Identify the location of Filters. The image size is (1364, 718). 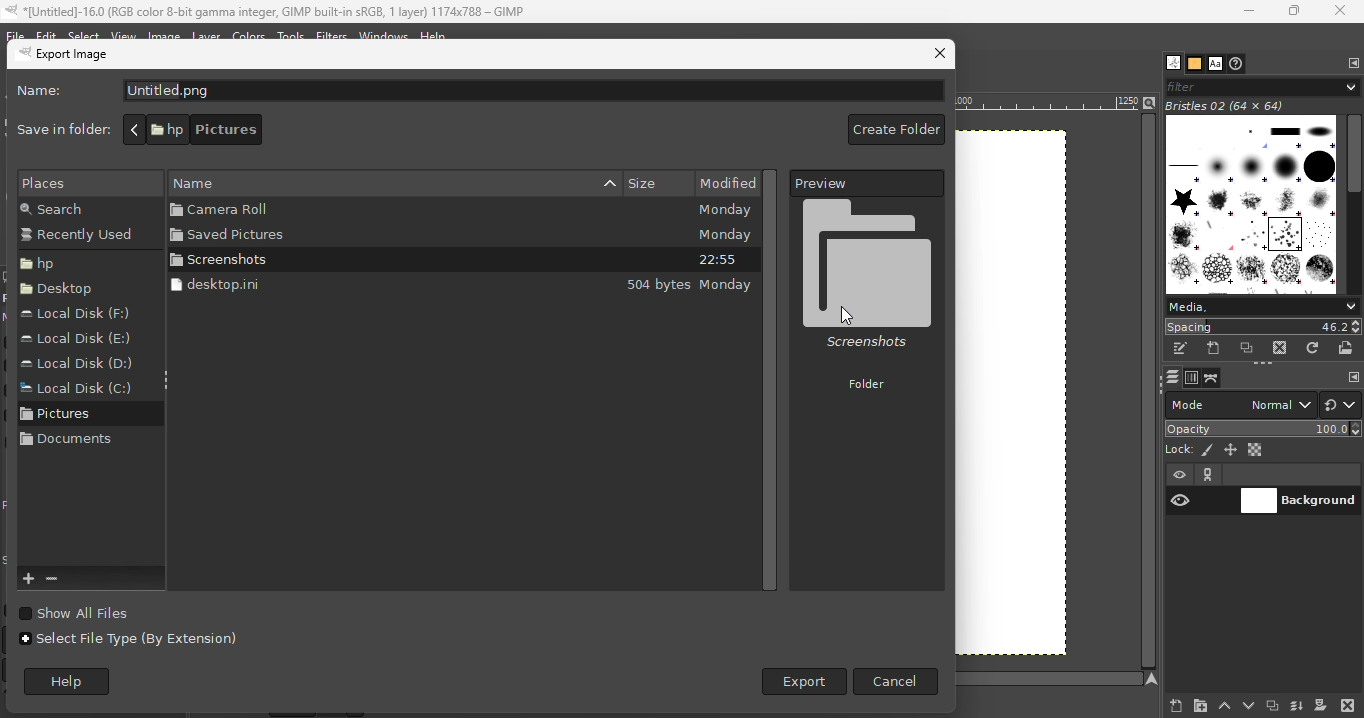
(330, 35).